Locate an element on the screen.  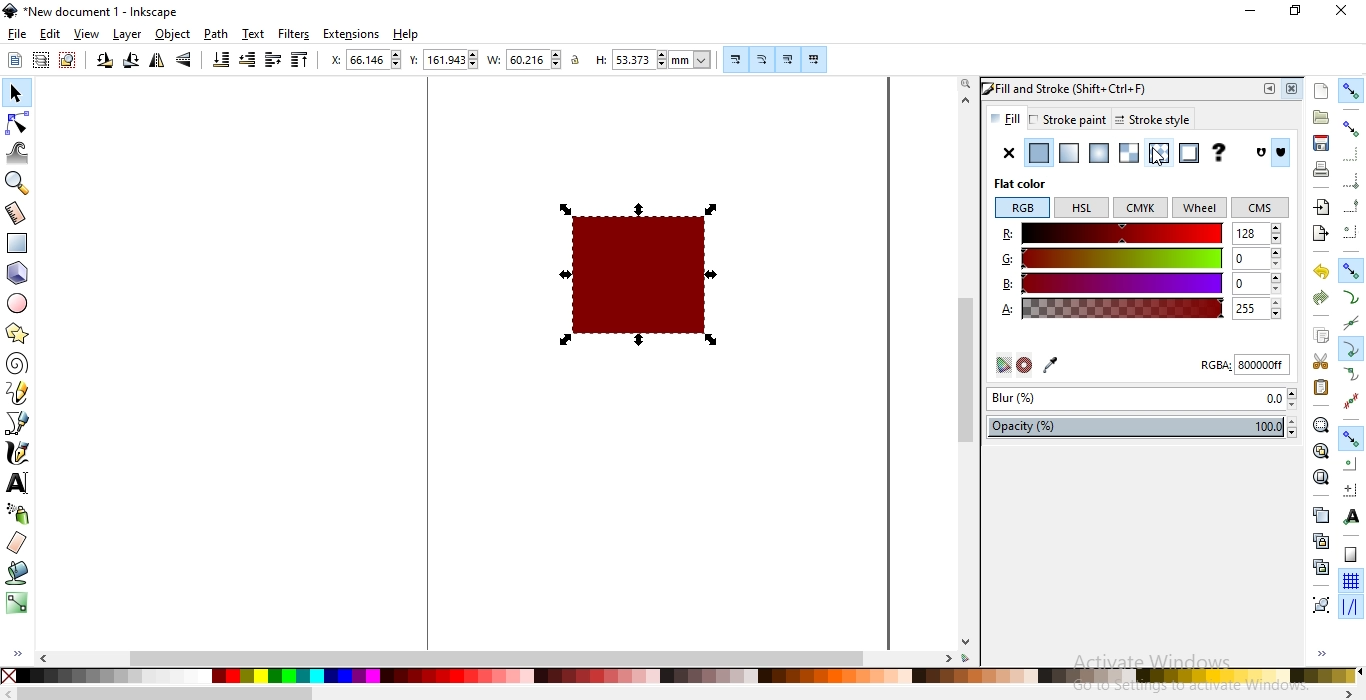
color managed is located at coordinates (1000, 366).